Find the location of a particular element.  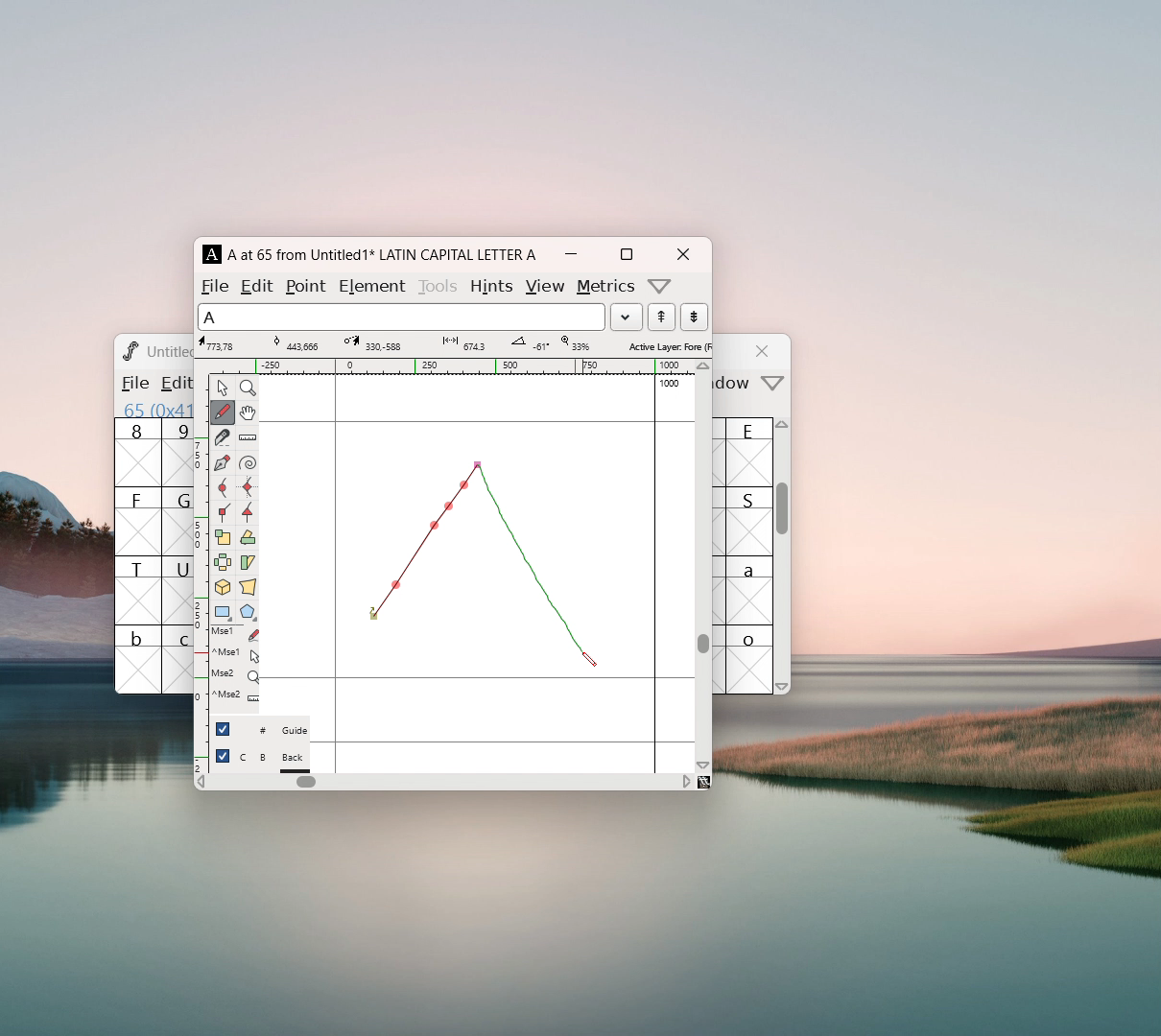

 is located at coordinates (173, 385).